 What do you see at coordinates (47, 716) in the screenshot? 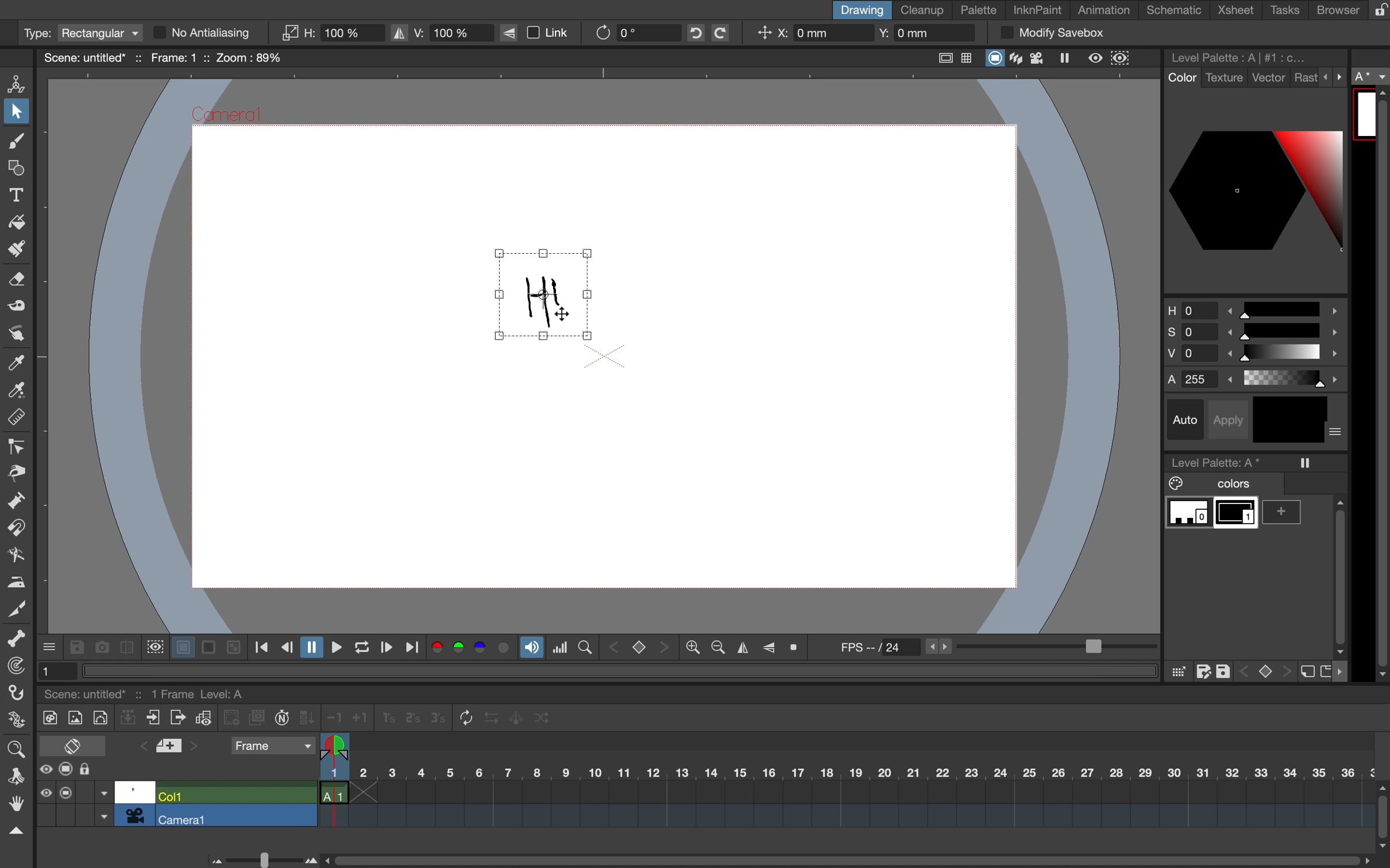
I see `new toonz raster level` at bounding box center [47, 716].